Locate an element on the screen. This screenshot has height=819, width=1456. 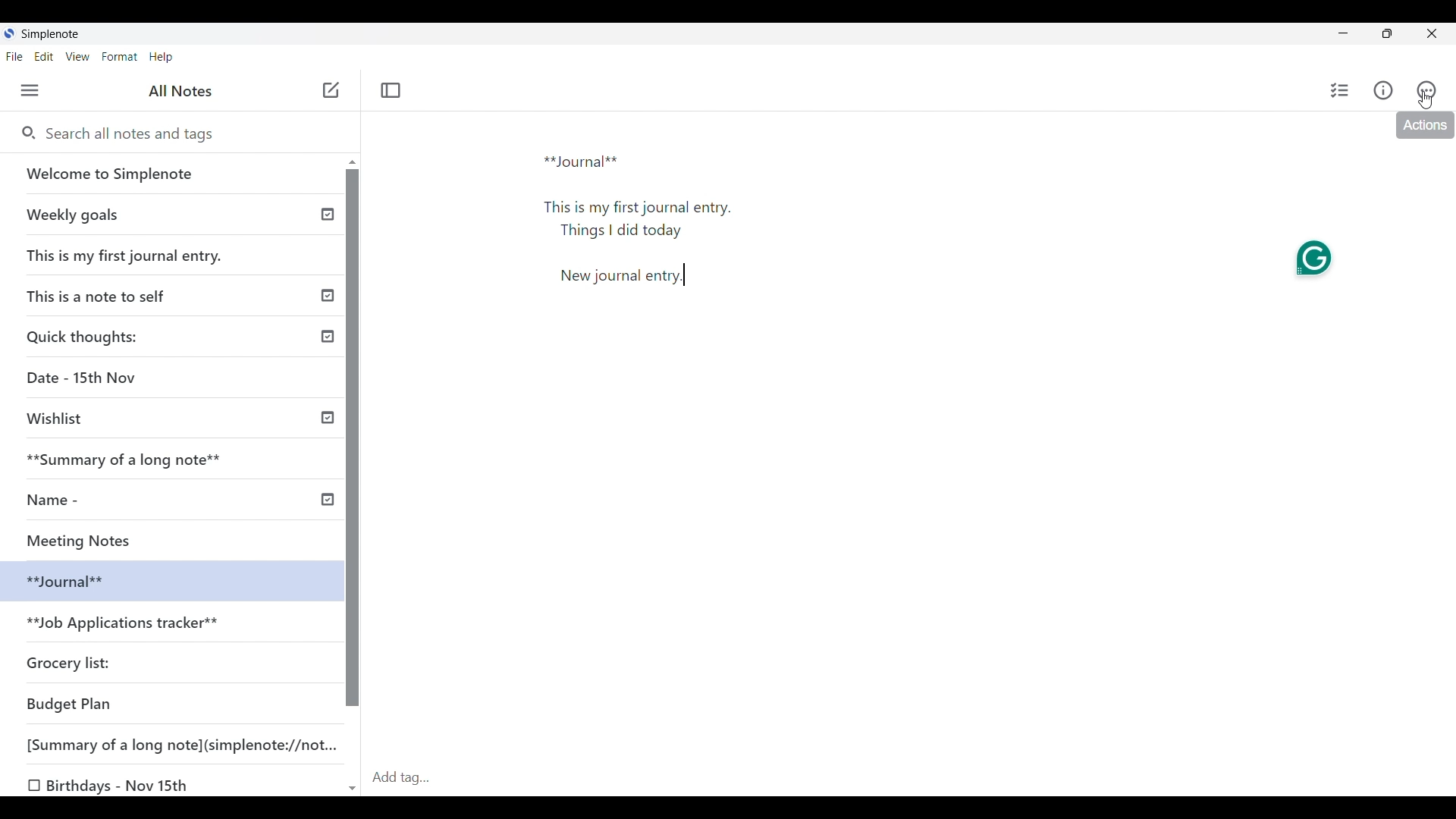
Quick slide to bottom is located at coordinates (353, 789).